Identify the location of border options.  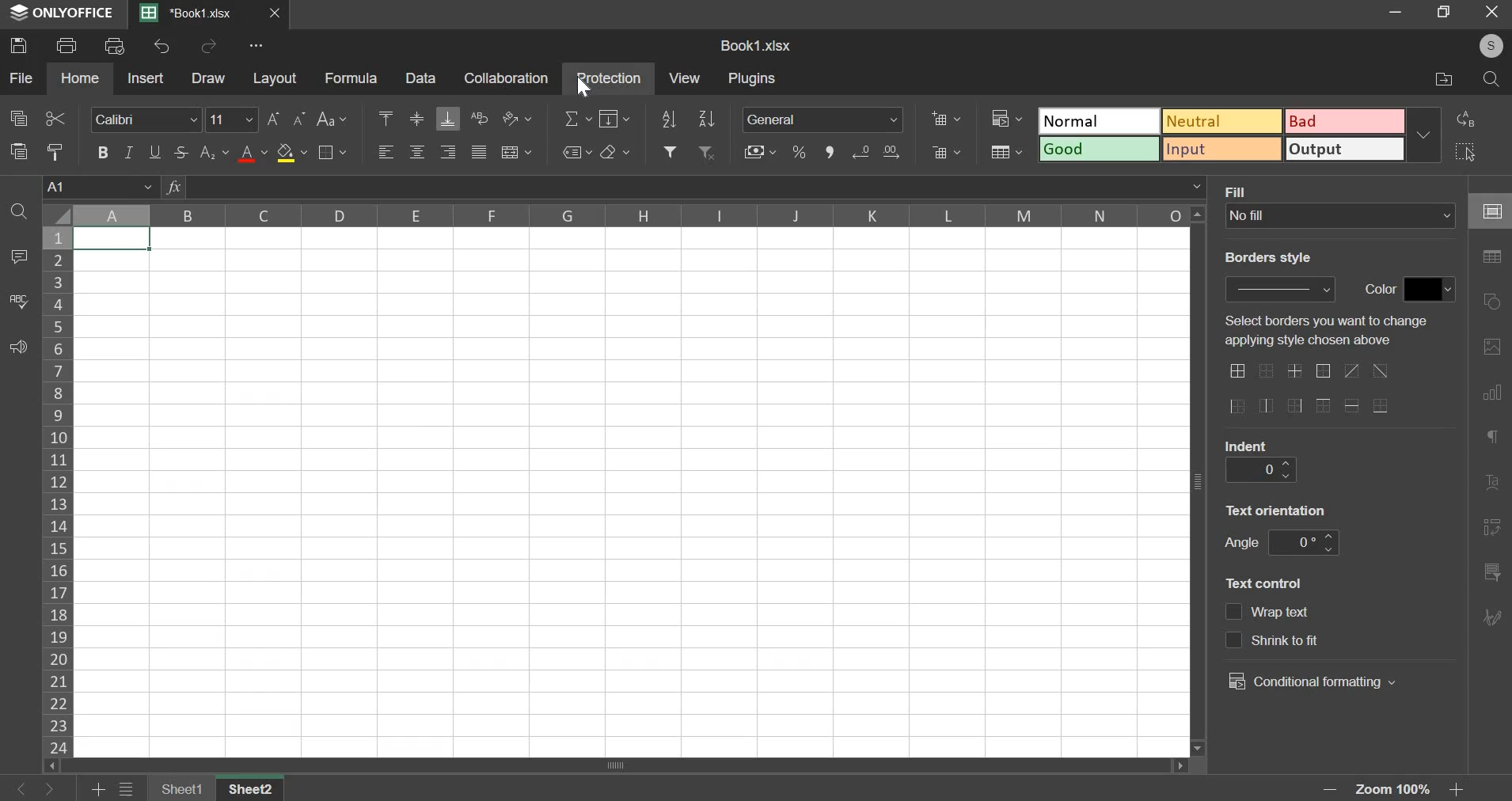
(1324, 407).